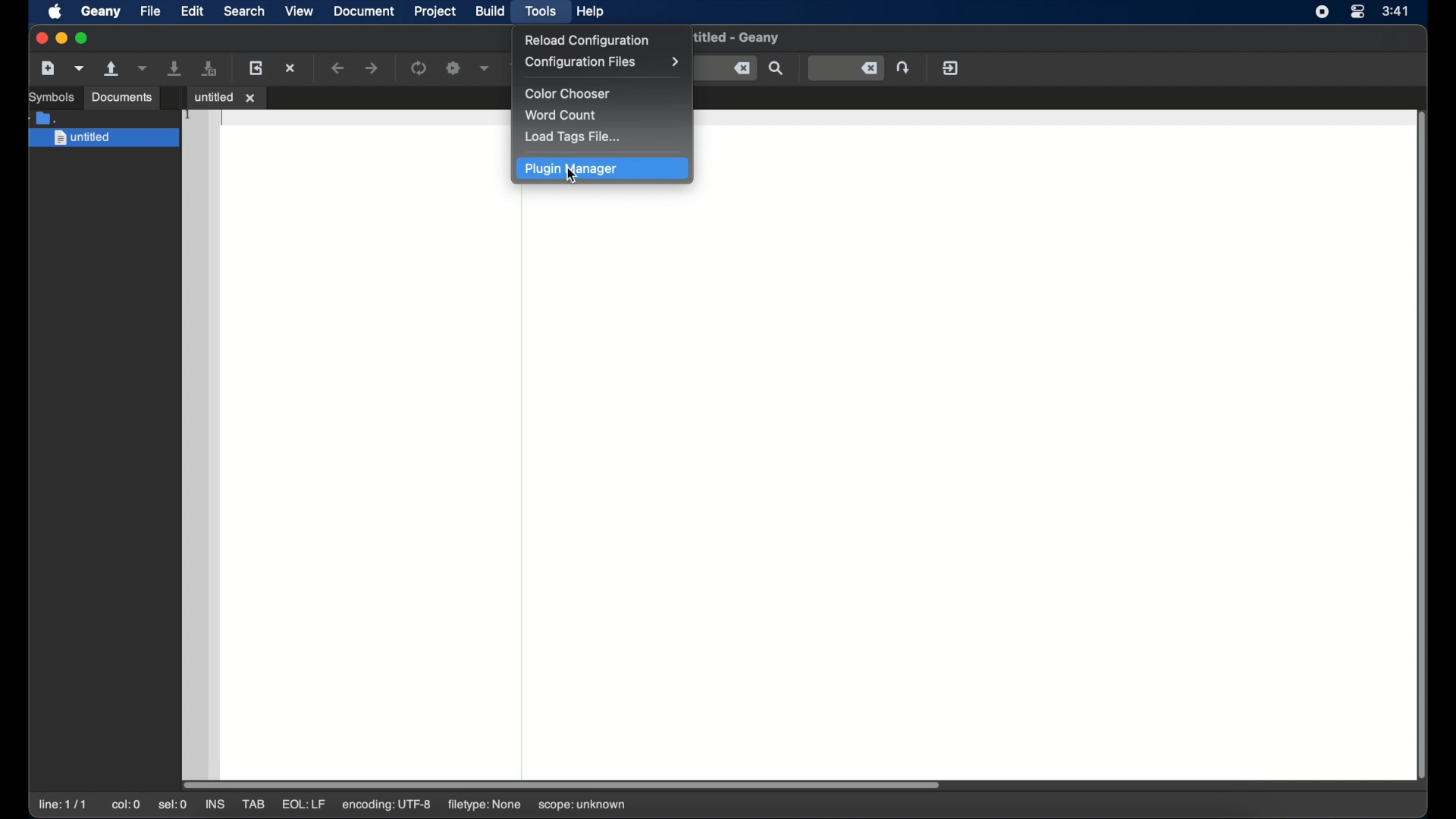  Describe the element at coordinates (575, 136) in the screenshot. I see `load tags file` at that location.